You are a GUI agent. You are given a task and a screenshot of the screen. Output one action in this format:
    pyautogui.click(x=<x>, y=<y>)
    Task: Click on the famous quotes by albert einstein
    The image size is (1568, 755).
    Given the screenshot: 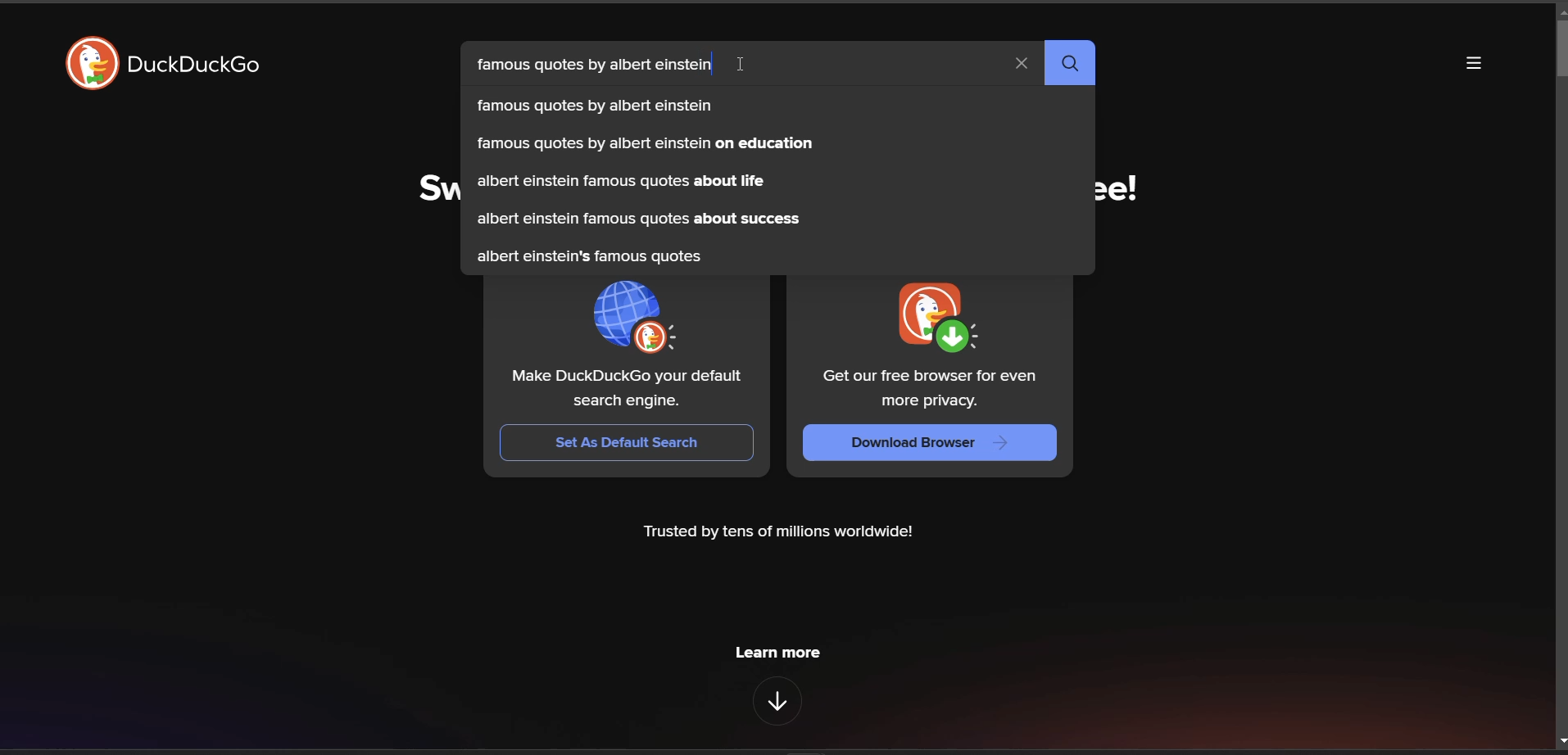 What is the action you would take?
    pyautogui.click(x=590, y=65)
    